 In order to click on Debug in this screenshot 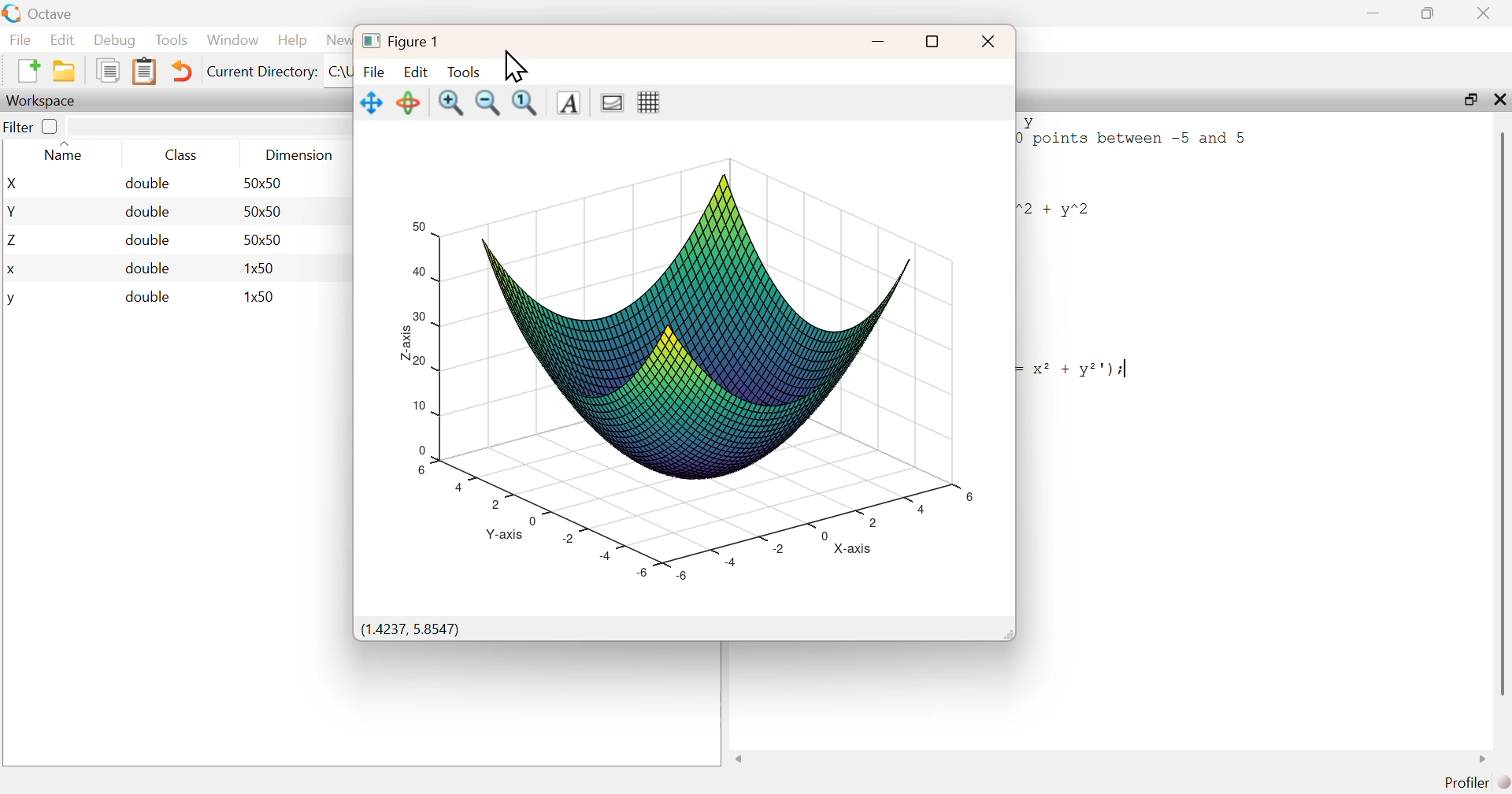, I will do `click(115, 39)`.